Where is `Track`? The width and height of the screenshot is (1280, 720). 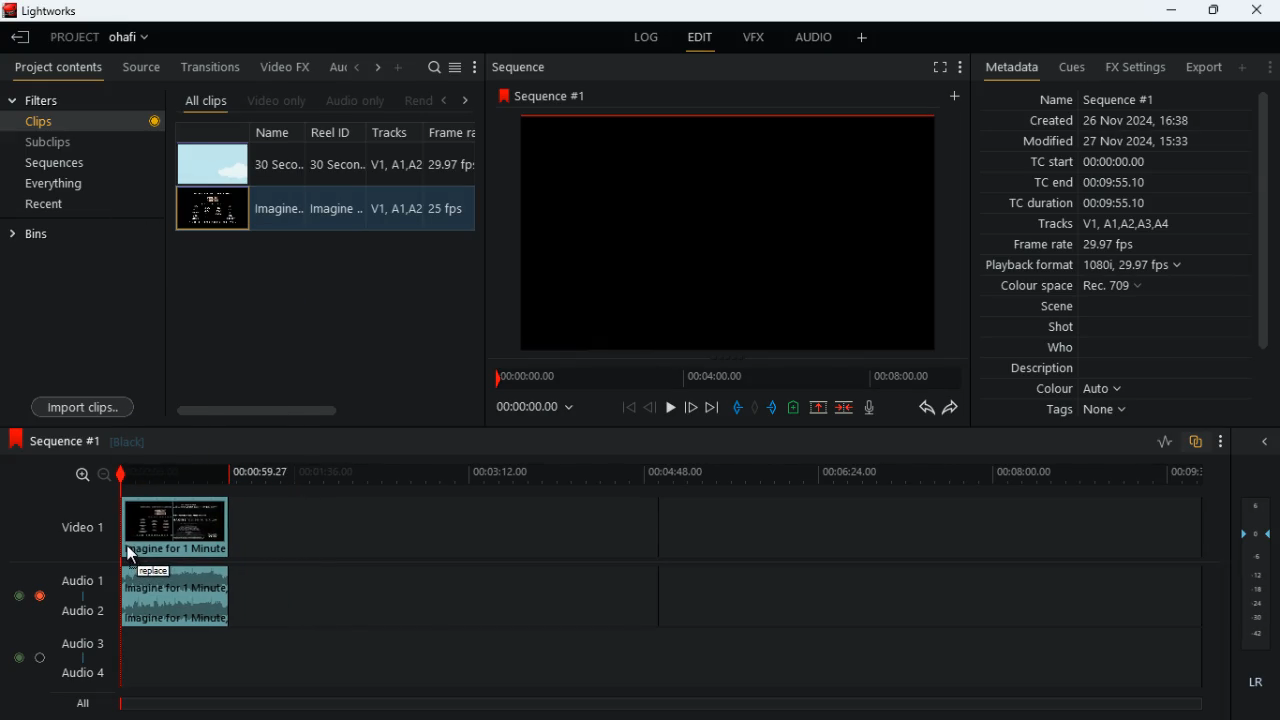 Track is located at coordinates (398, 164).